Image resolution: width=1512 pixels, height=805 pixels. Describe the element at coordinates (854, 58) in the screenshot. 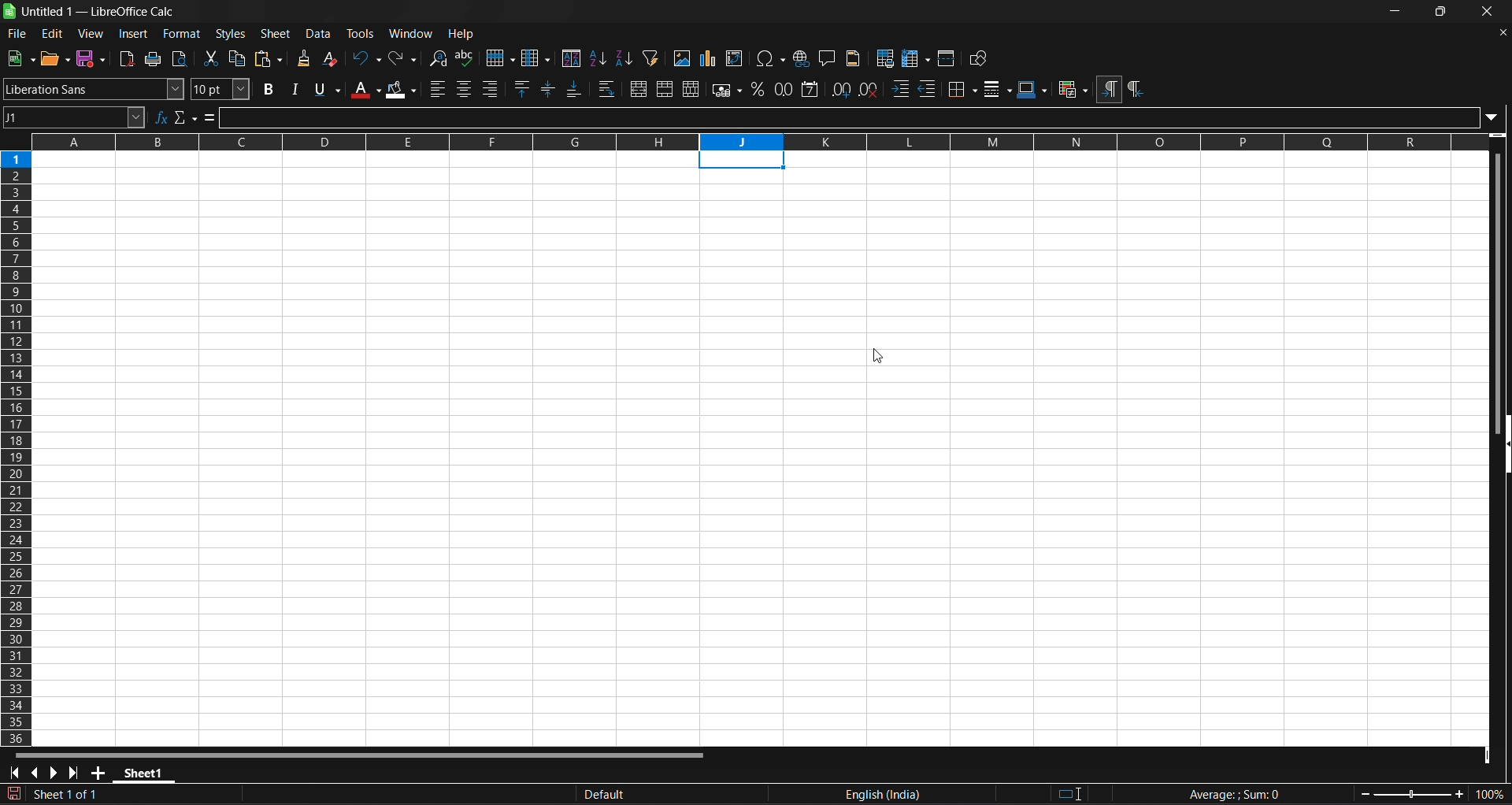

I see `headers and footers` at that location.